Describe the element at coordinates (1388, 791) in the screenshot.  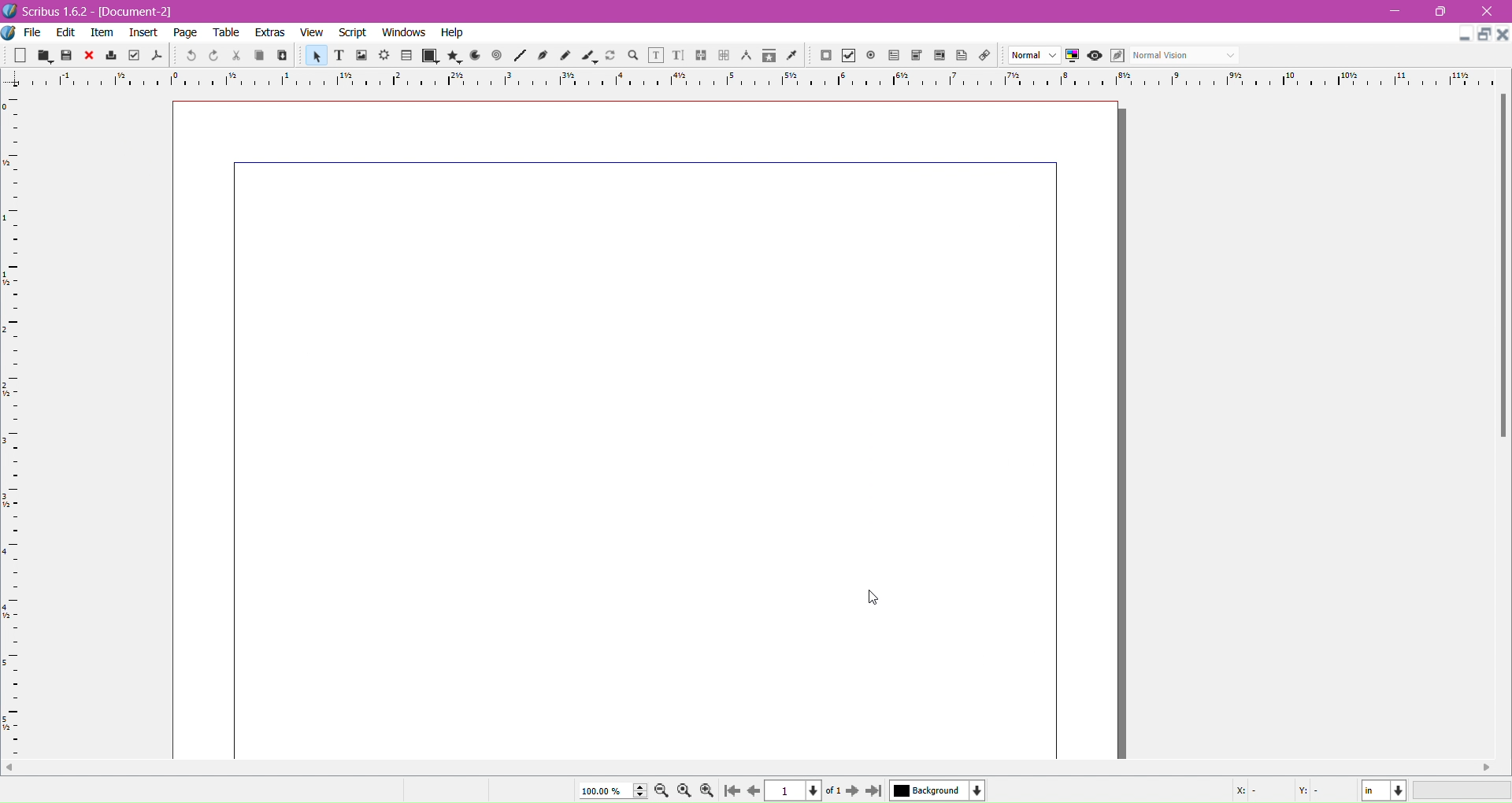
I see `in` at that location.